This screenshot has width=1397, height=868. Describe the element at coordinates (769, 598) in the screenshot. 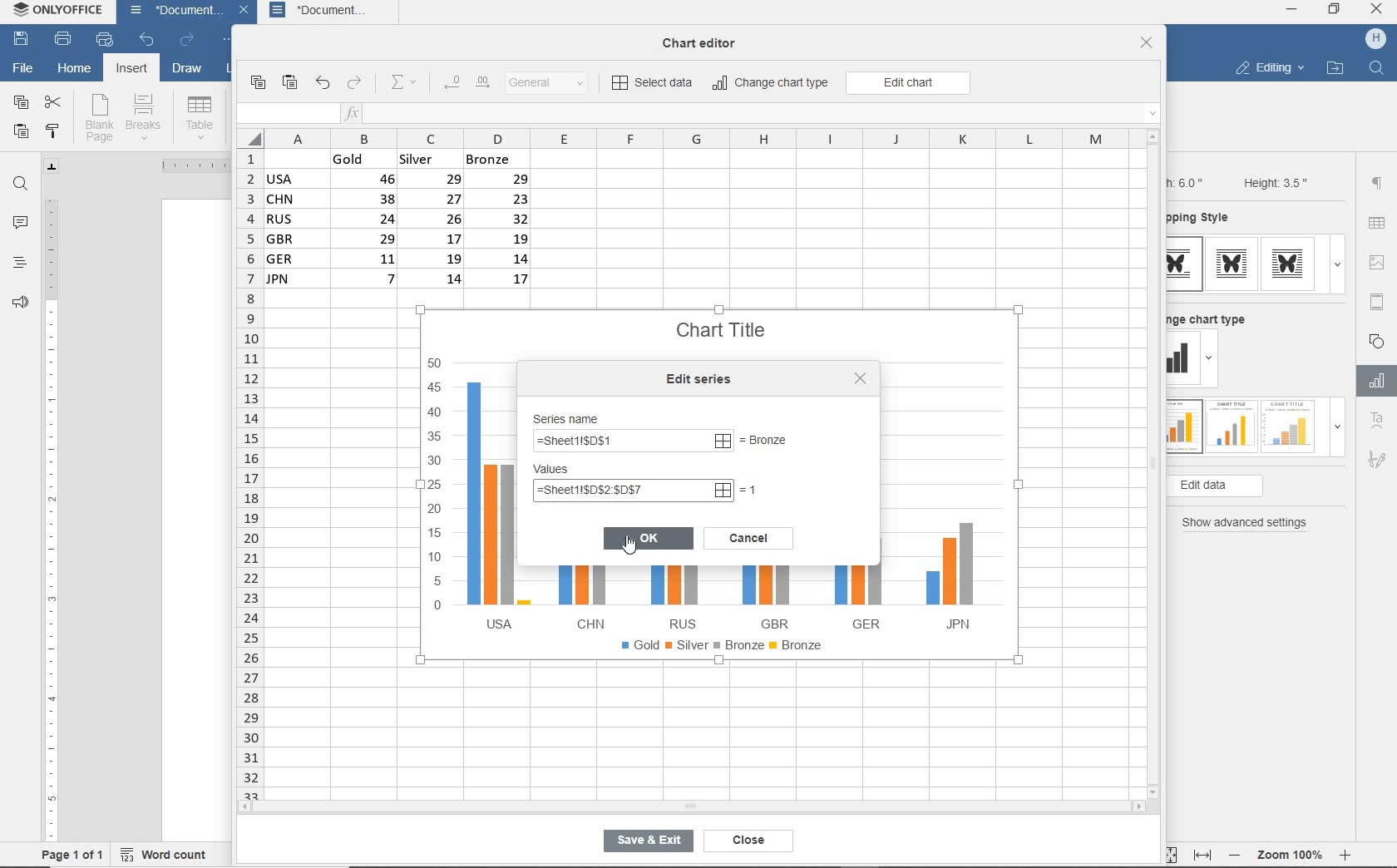

I see `GBR` at that location.